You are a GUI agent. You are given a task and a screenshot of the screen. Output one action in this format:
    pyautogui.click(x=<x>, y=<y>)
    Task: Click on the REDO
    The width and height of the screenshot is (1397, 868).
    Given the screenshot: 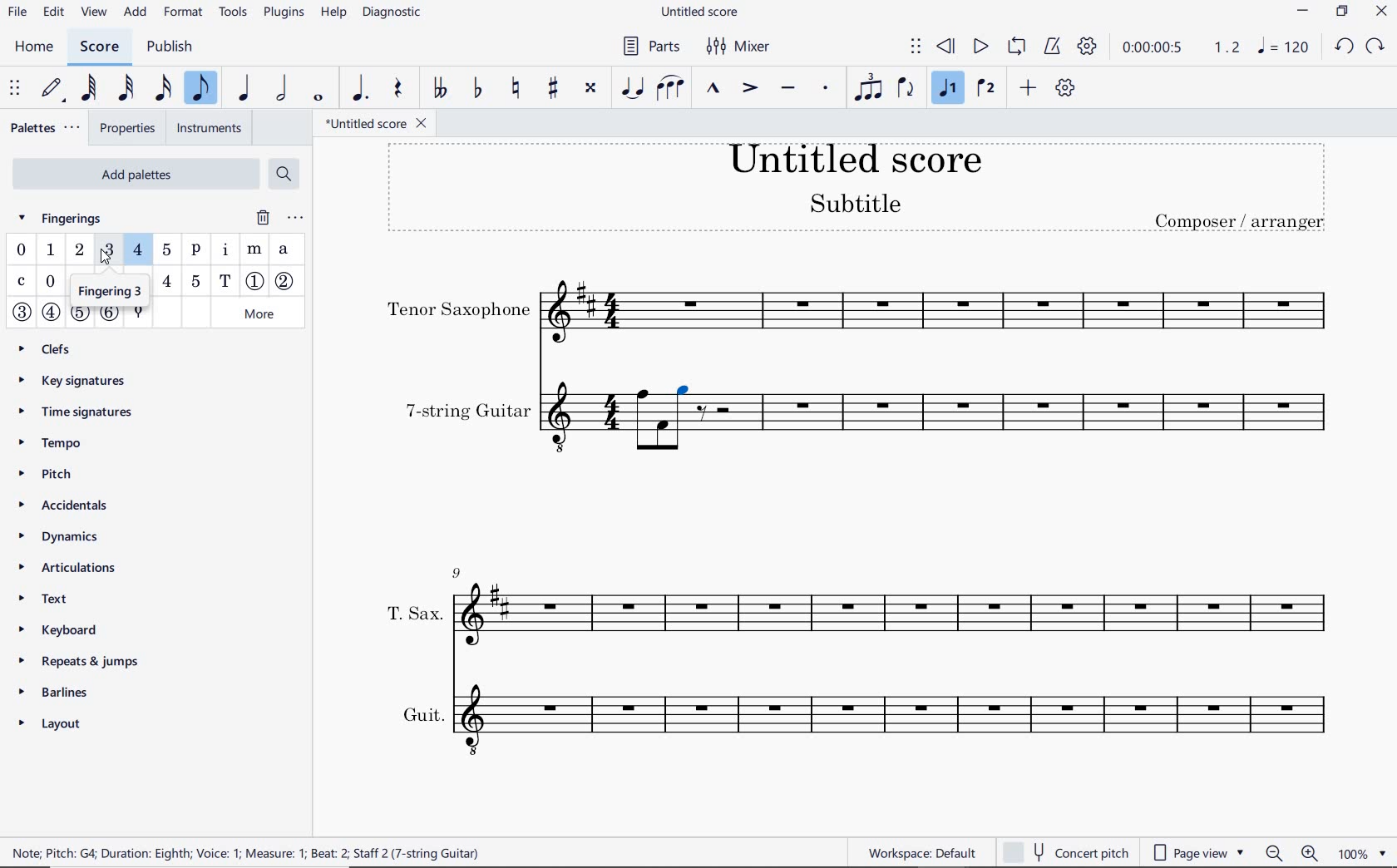 What is the action you would take?
    pyautogui.click(x=1375, y=46)
    